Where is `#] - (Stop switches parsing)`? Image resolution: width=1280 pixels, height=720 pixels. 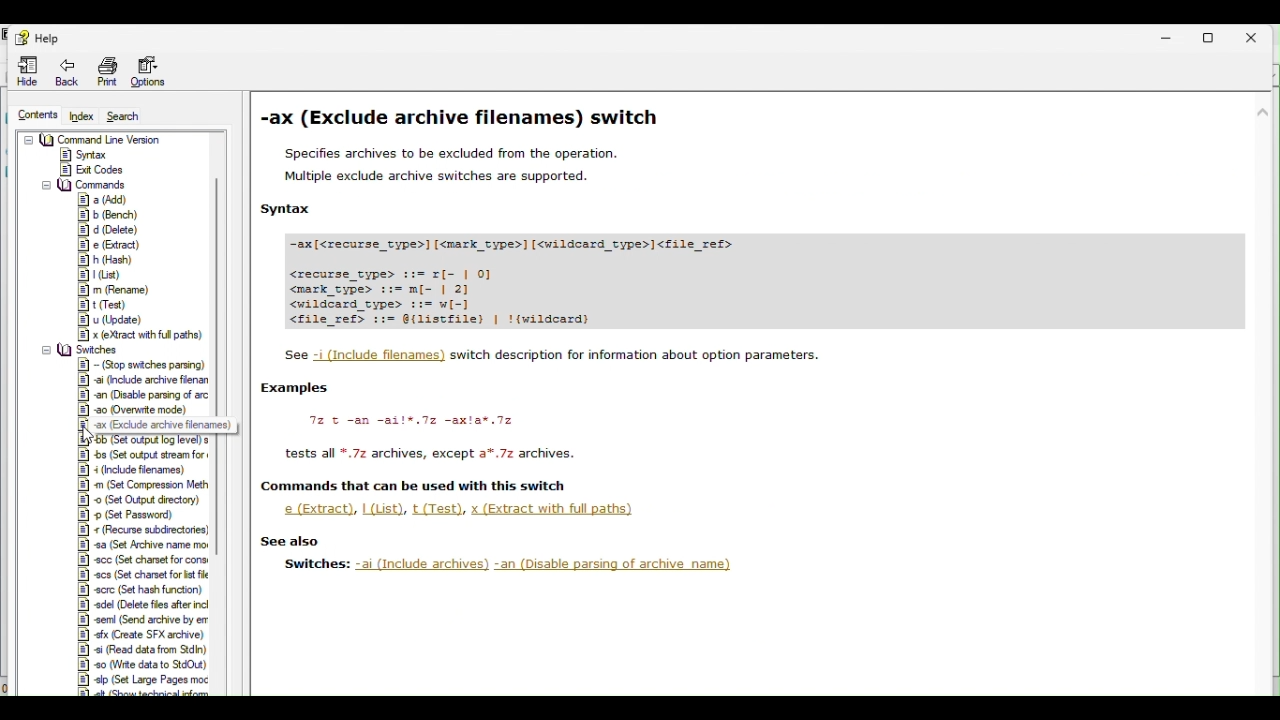
#] - (Stop switches parsing) is located at coordinates (143, 364).